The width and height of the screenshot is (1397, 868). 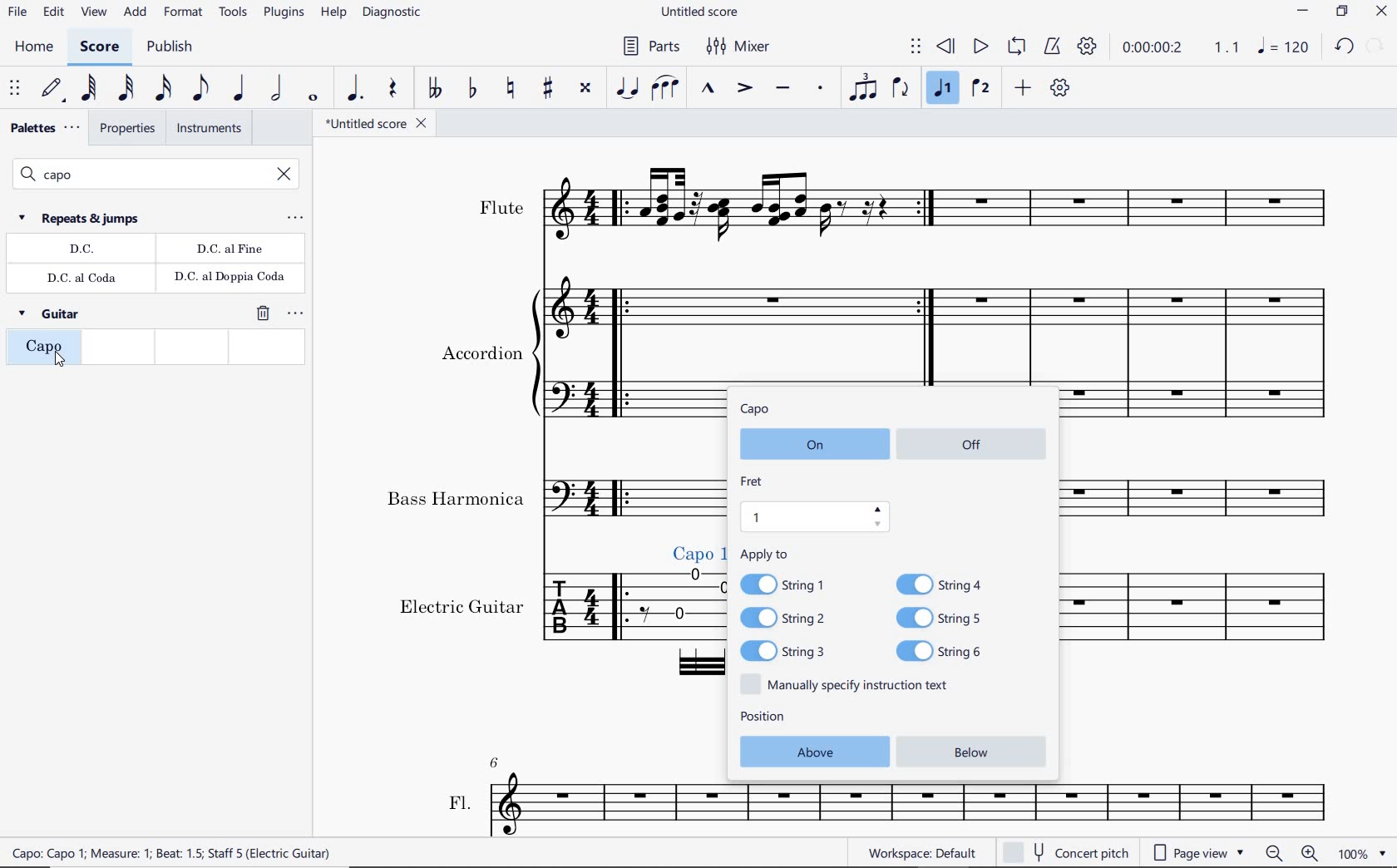 I want to click on delete, so click(x=261, y=314).